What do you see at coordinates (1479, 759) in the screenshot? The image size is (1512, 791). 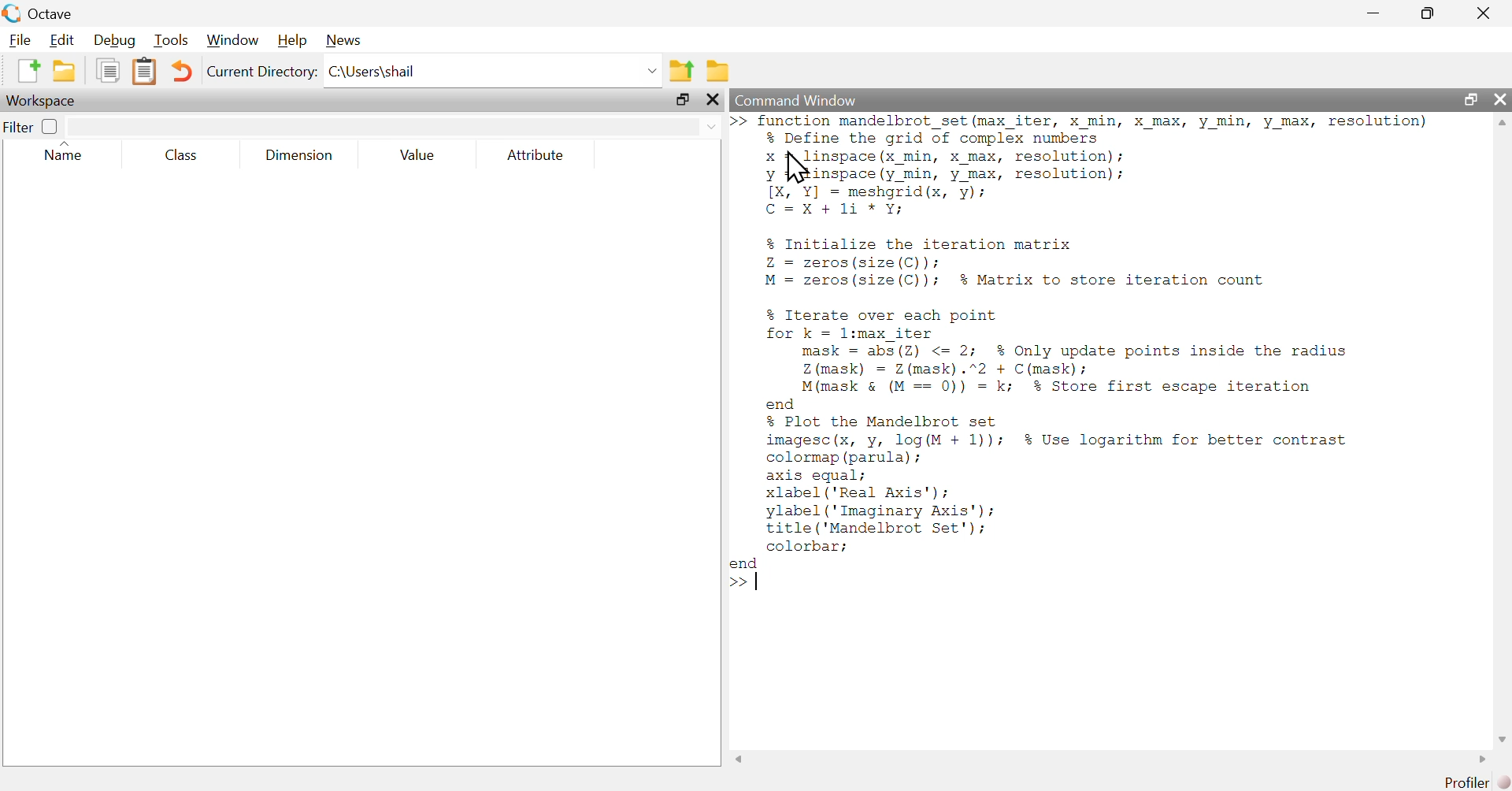 I see `Scrollbar right` at bounding box center [1479, 759].